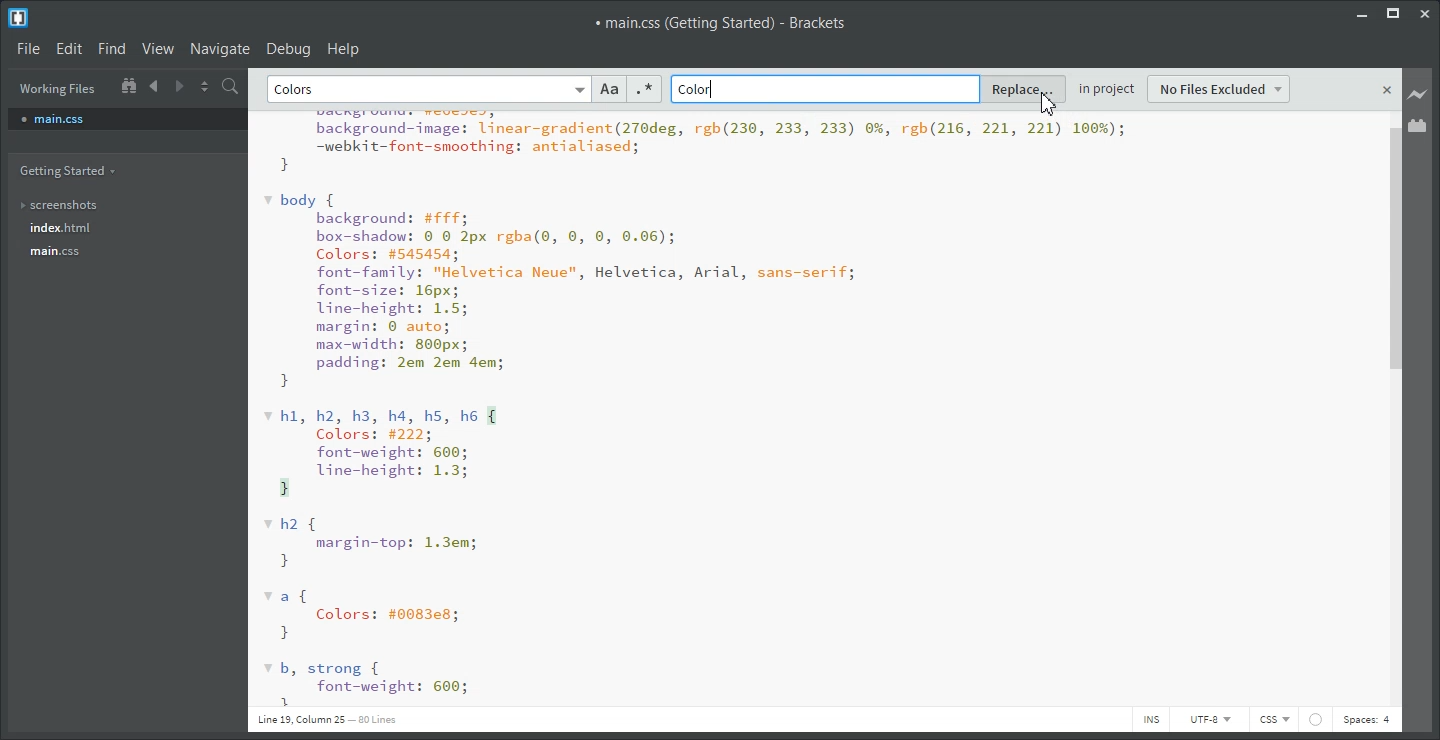 This screenshot has width=1440, height=740. What do you see at coordinates (326, 719) in the screenshot?
I see `Line 19, Column 25 — 80 Lines` at bounding box center [326, 719].